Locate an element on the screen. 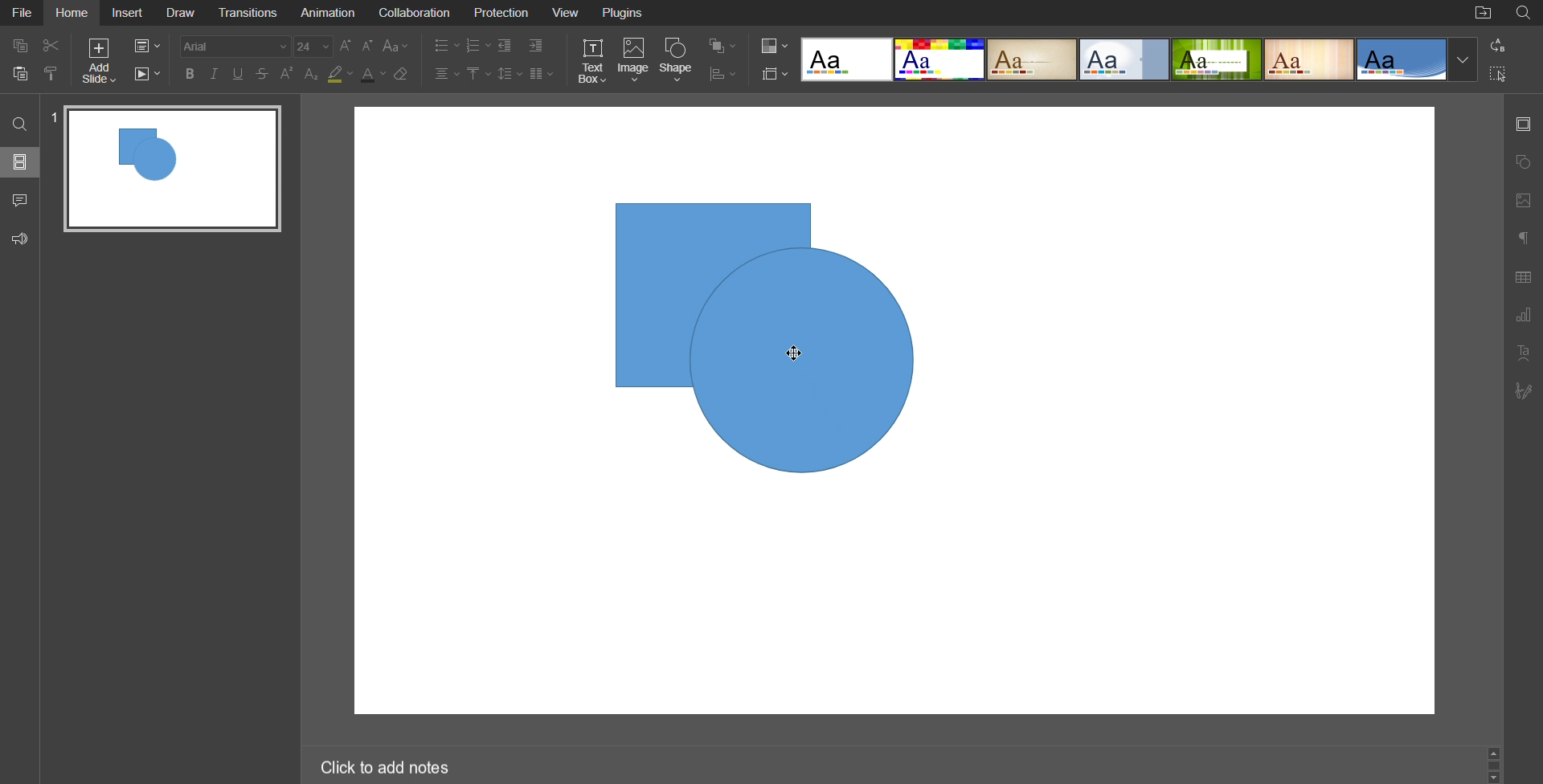  Increase Font is located at coordinates (346, 45).